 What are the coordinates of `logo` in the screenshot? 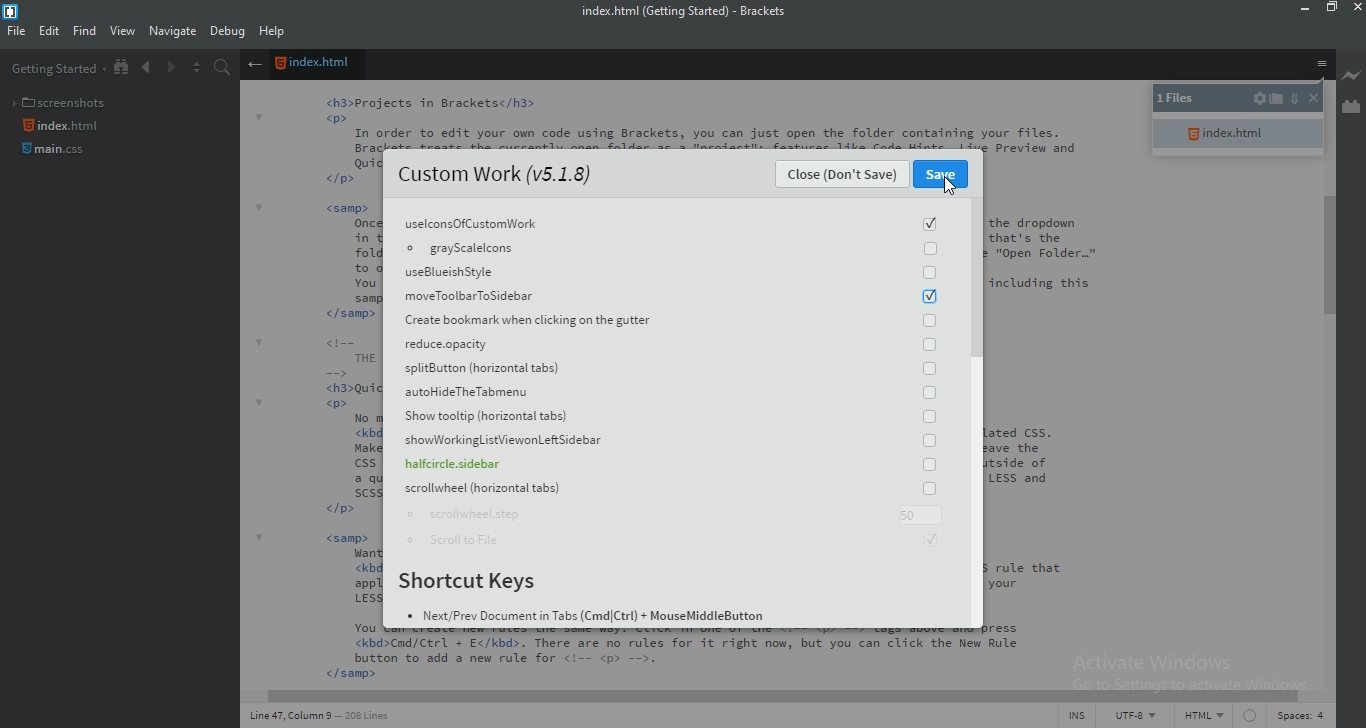 It's located at (10, 12).